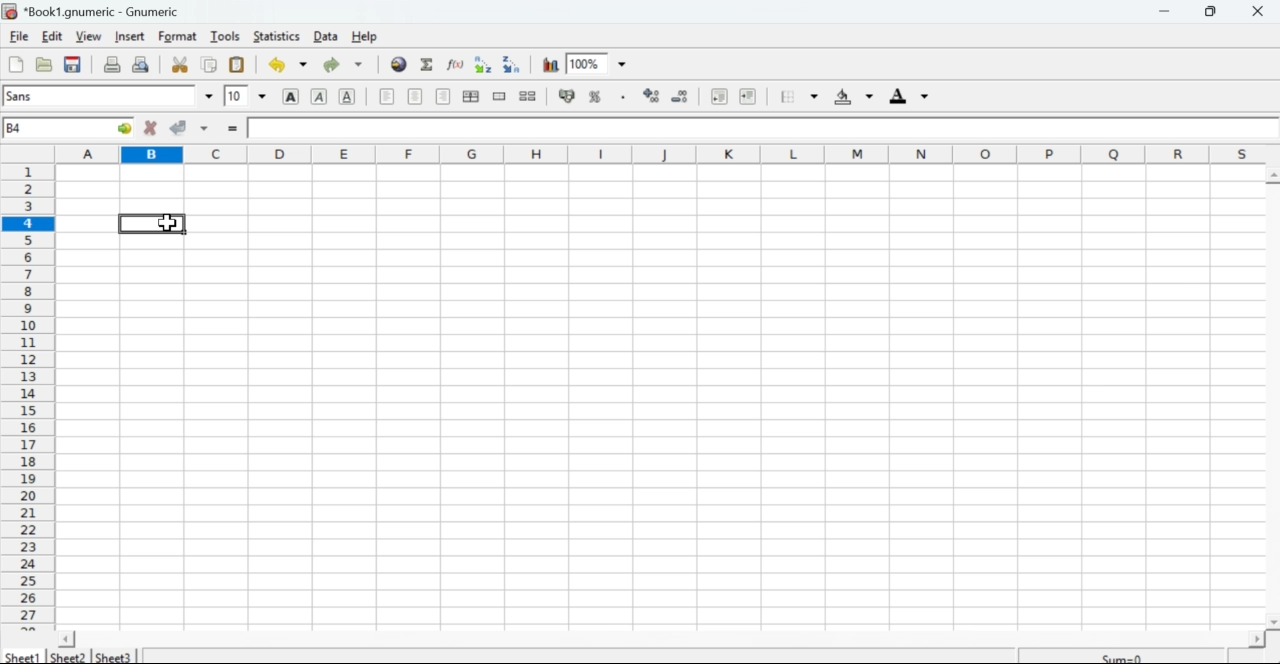  Describe the element at coordinates (304, 65) in the screenshot. I see `down` at that location.